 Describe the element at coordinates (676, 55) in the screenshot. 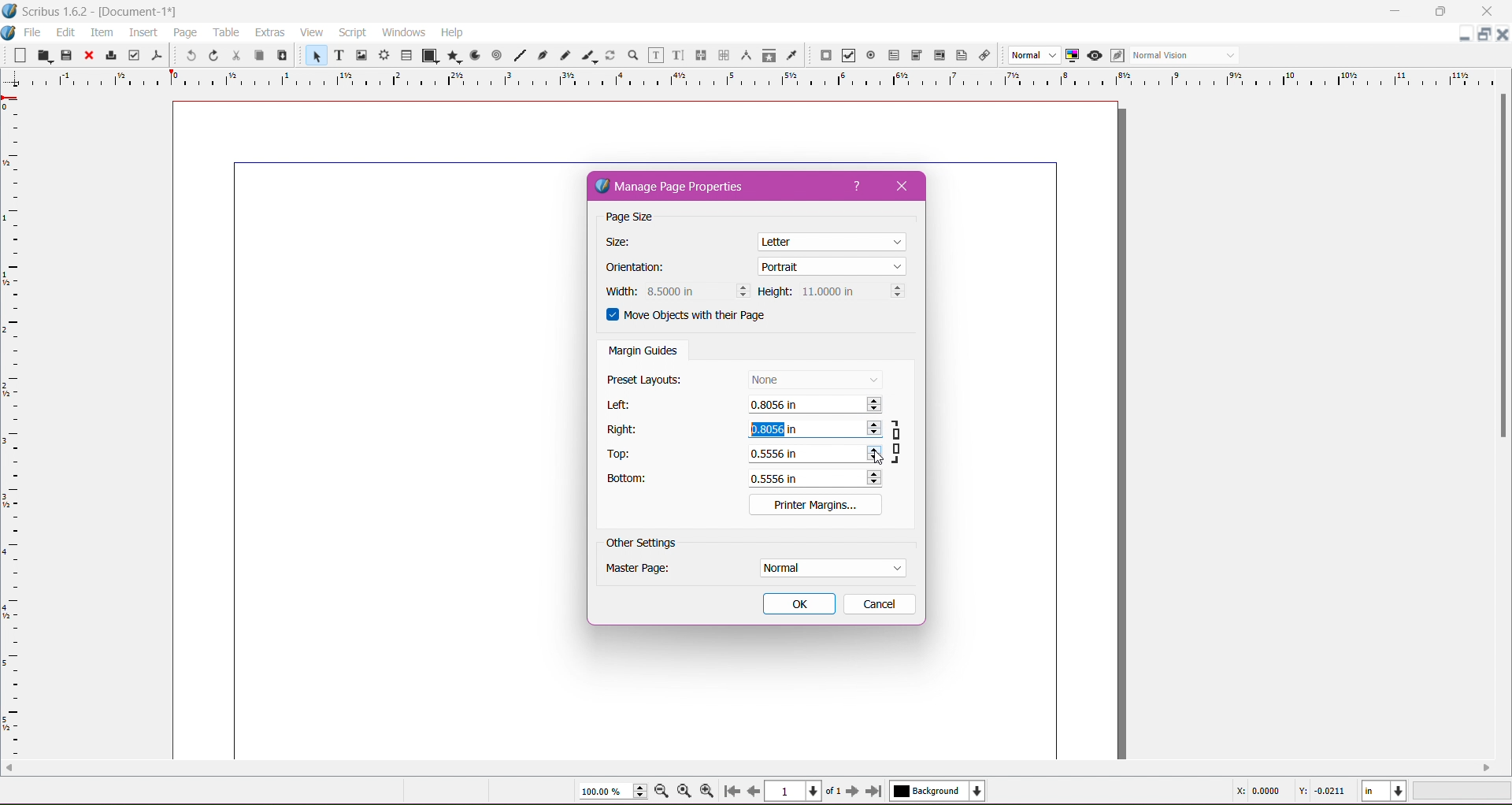

I see `Edit Text with Story Editor` at that location.